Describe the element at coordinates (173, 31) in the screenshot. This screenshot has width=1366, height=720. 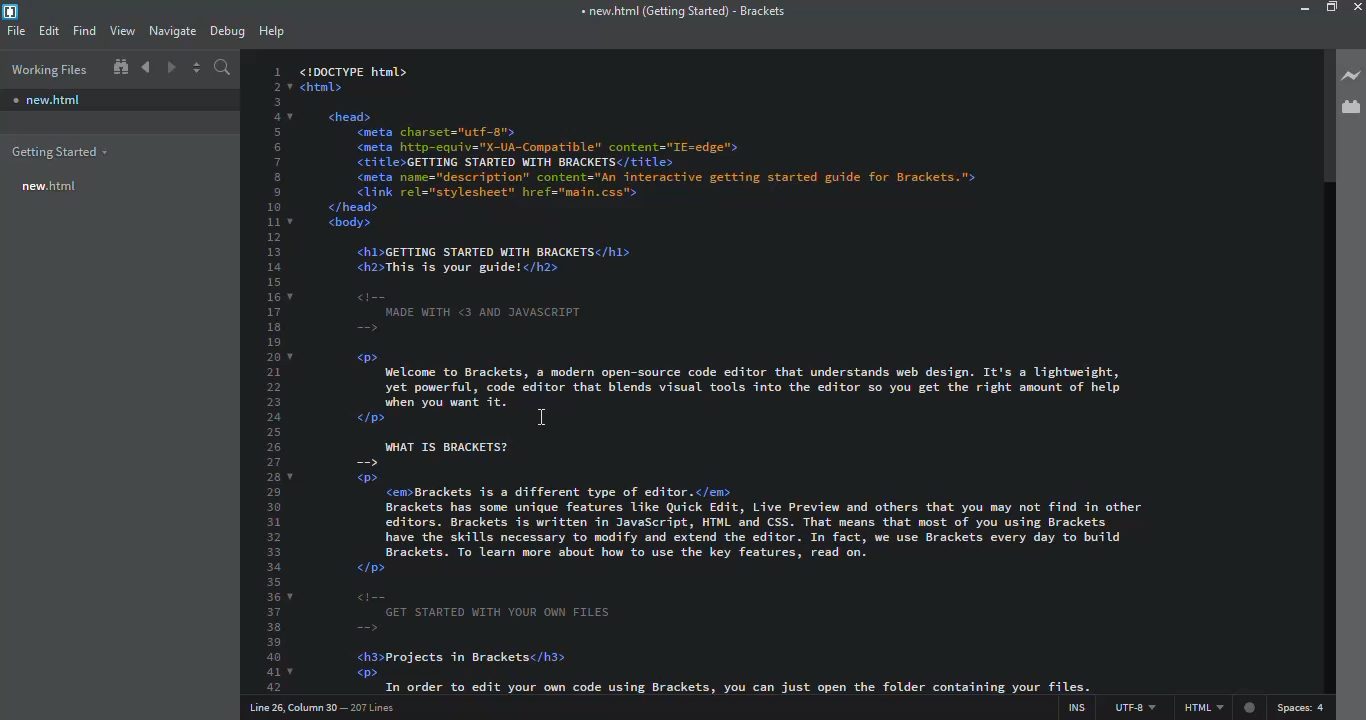
I see `navigate` at that location.